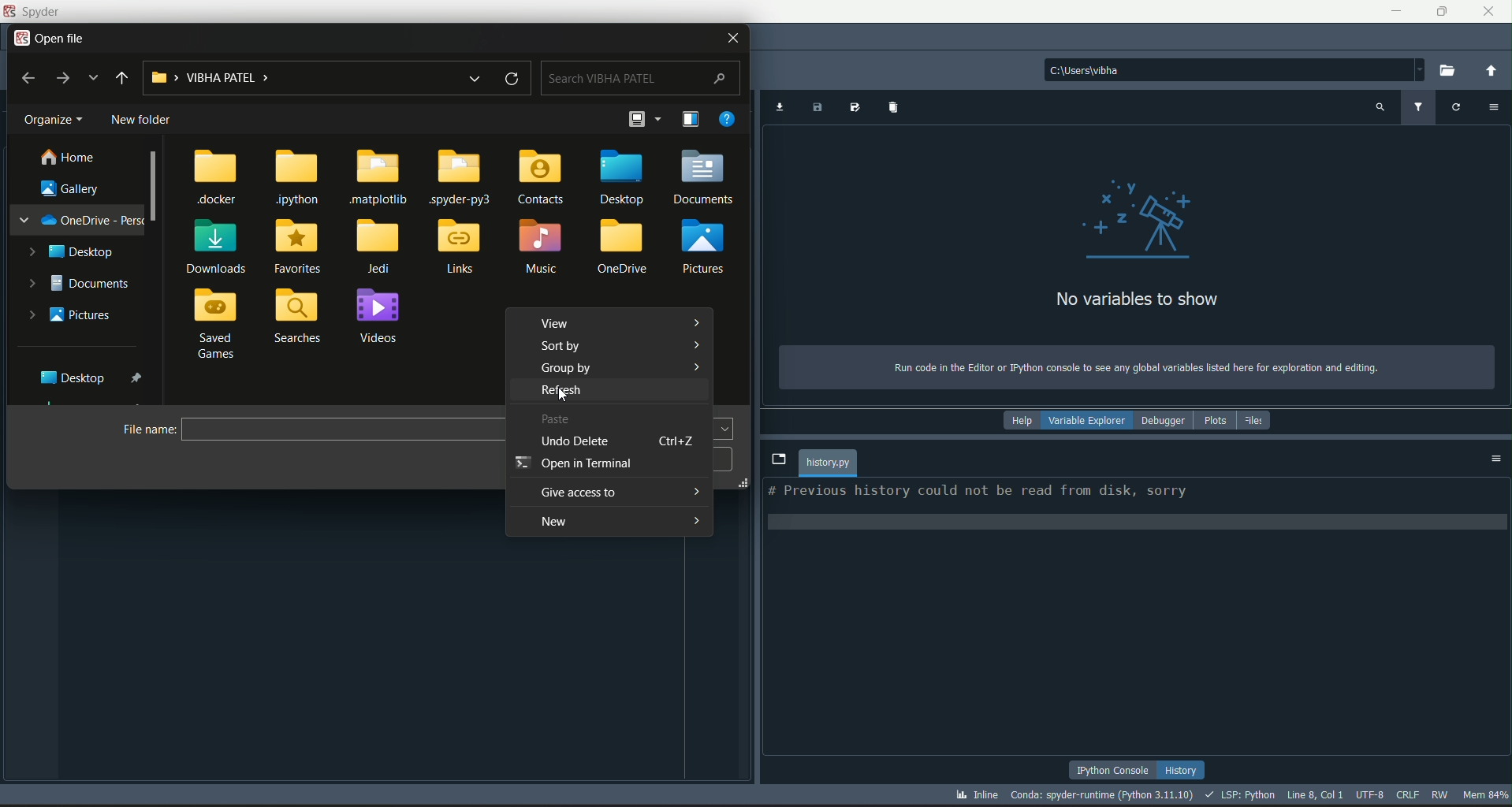 This screenshot has width=1512, height=807. Describe the element at coordinates (35, 12) in the screenshot. I see `logo and title` at that location.